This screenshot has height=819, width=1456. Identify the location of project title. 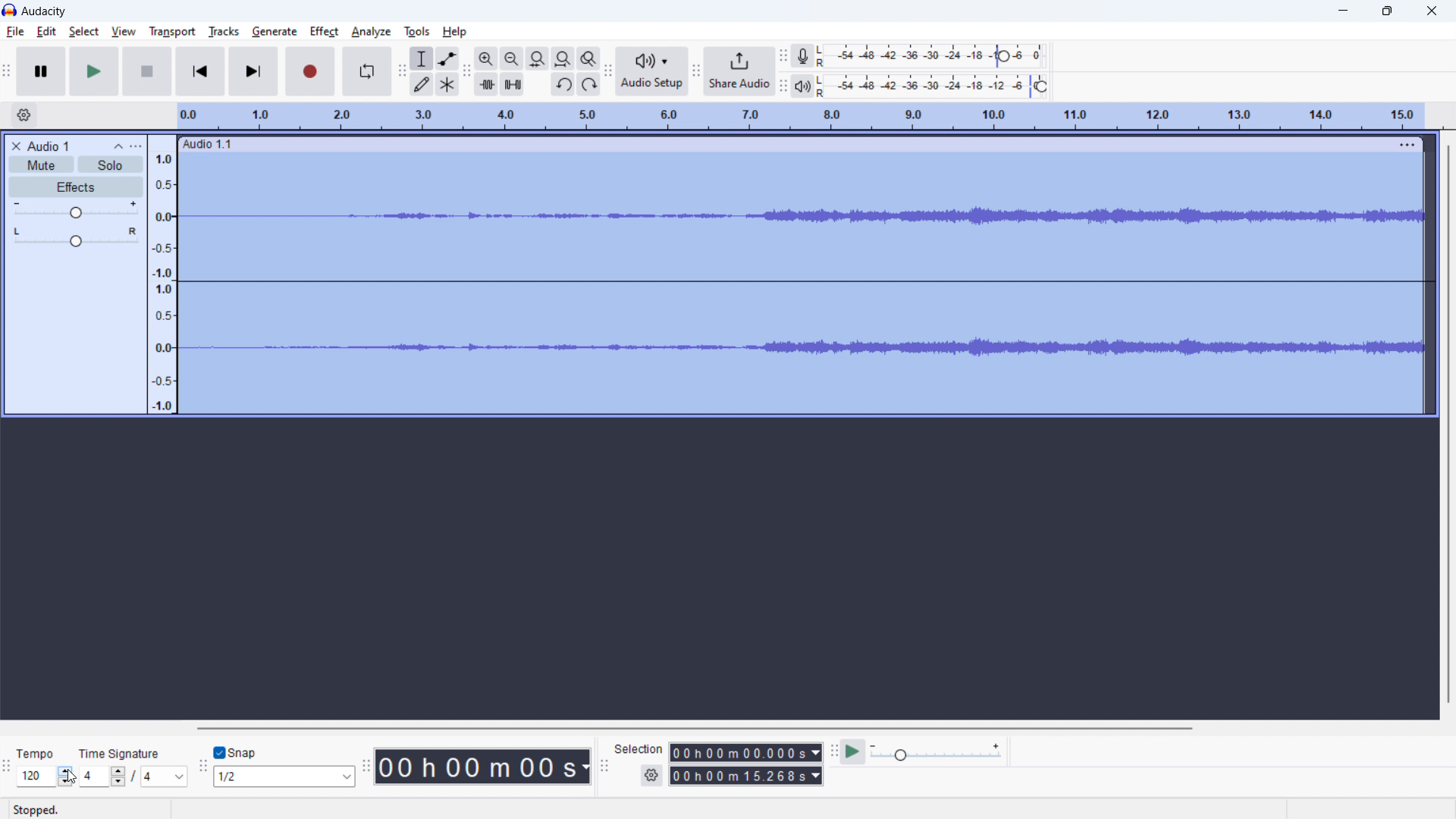
(48, 145).